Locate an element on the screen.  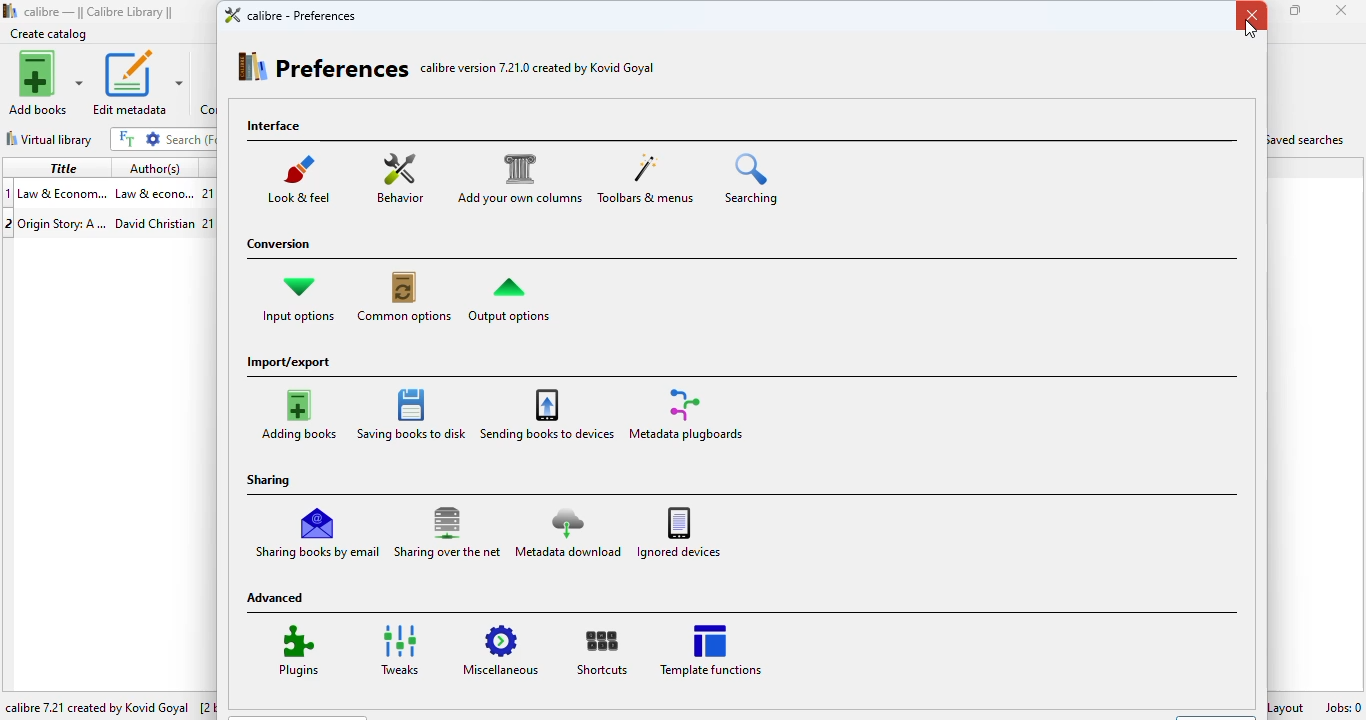
calibre - preferences is located at coordinates (289, 14).